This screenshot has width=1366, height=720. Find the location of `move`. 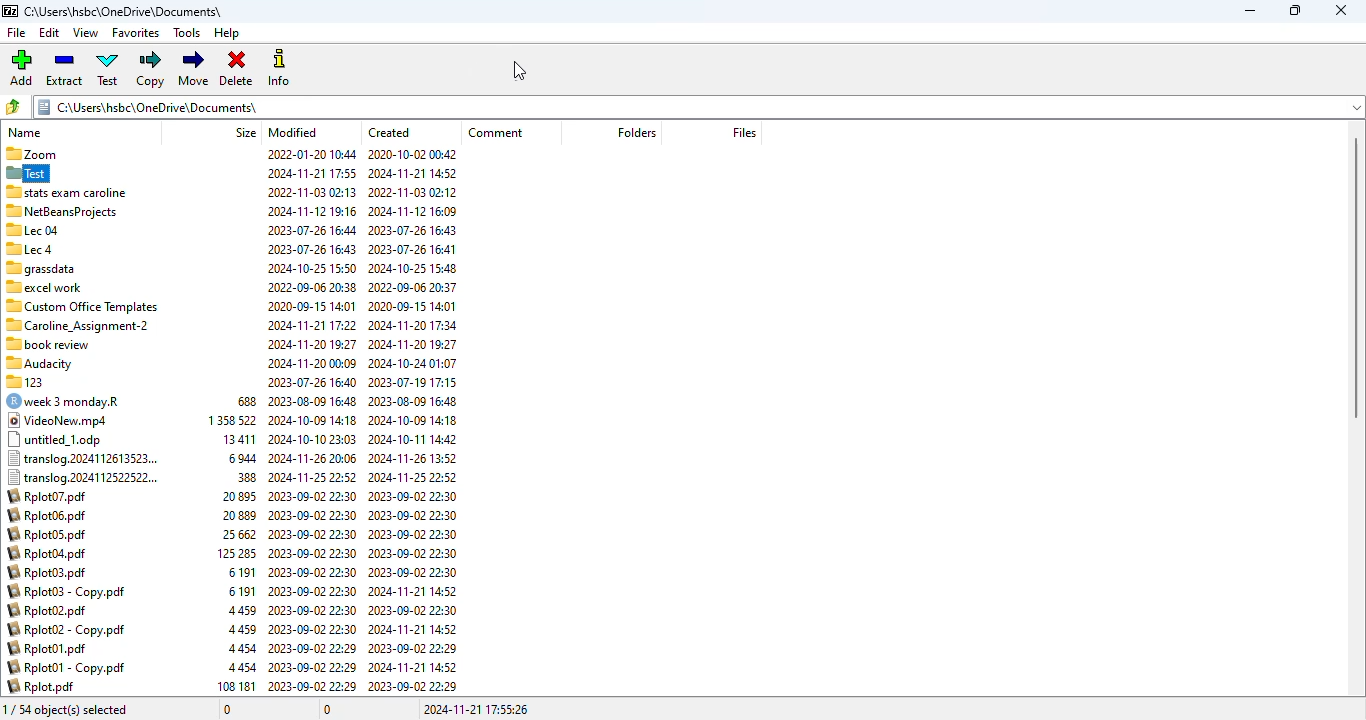

move is located at coordinates (194, 69).